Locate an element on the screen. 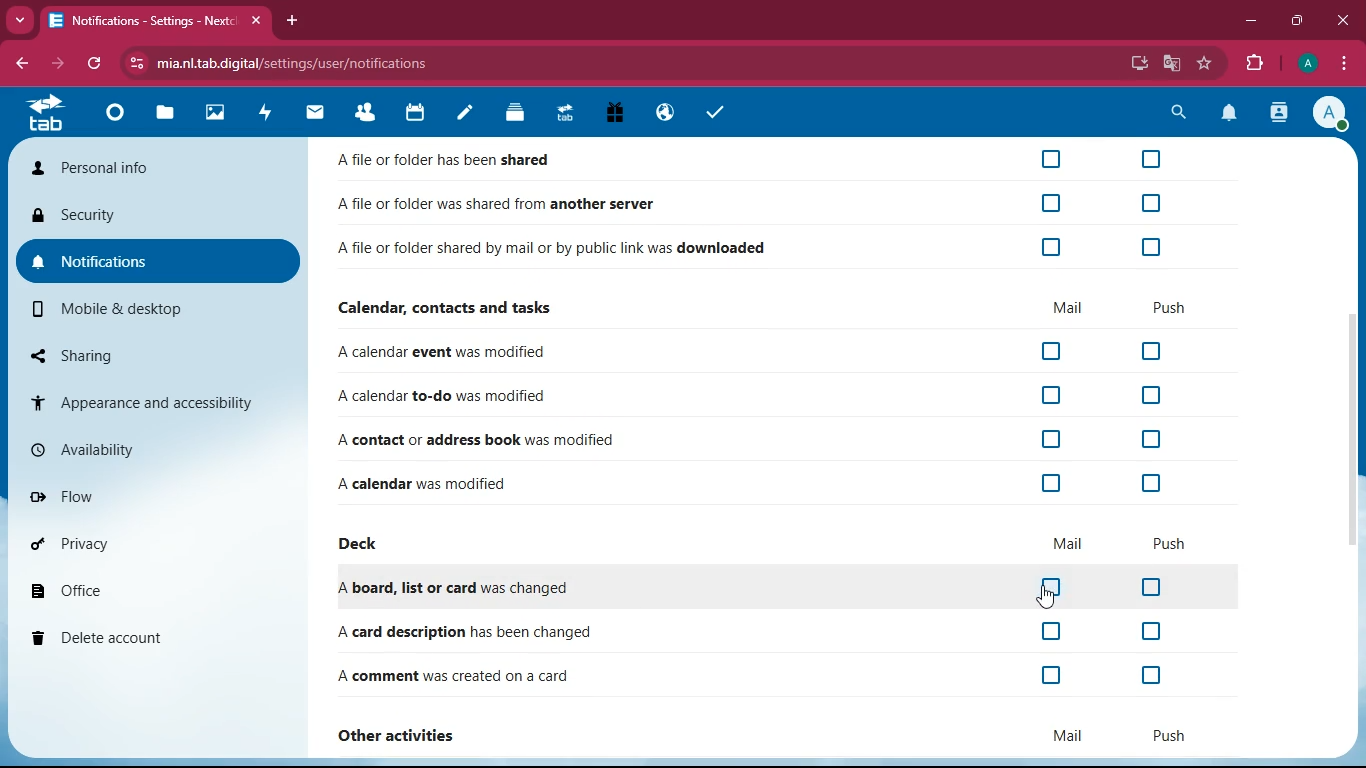 The image size is (1366, 768). off is located at coordinates (1149, 673).